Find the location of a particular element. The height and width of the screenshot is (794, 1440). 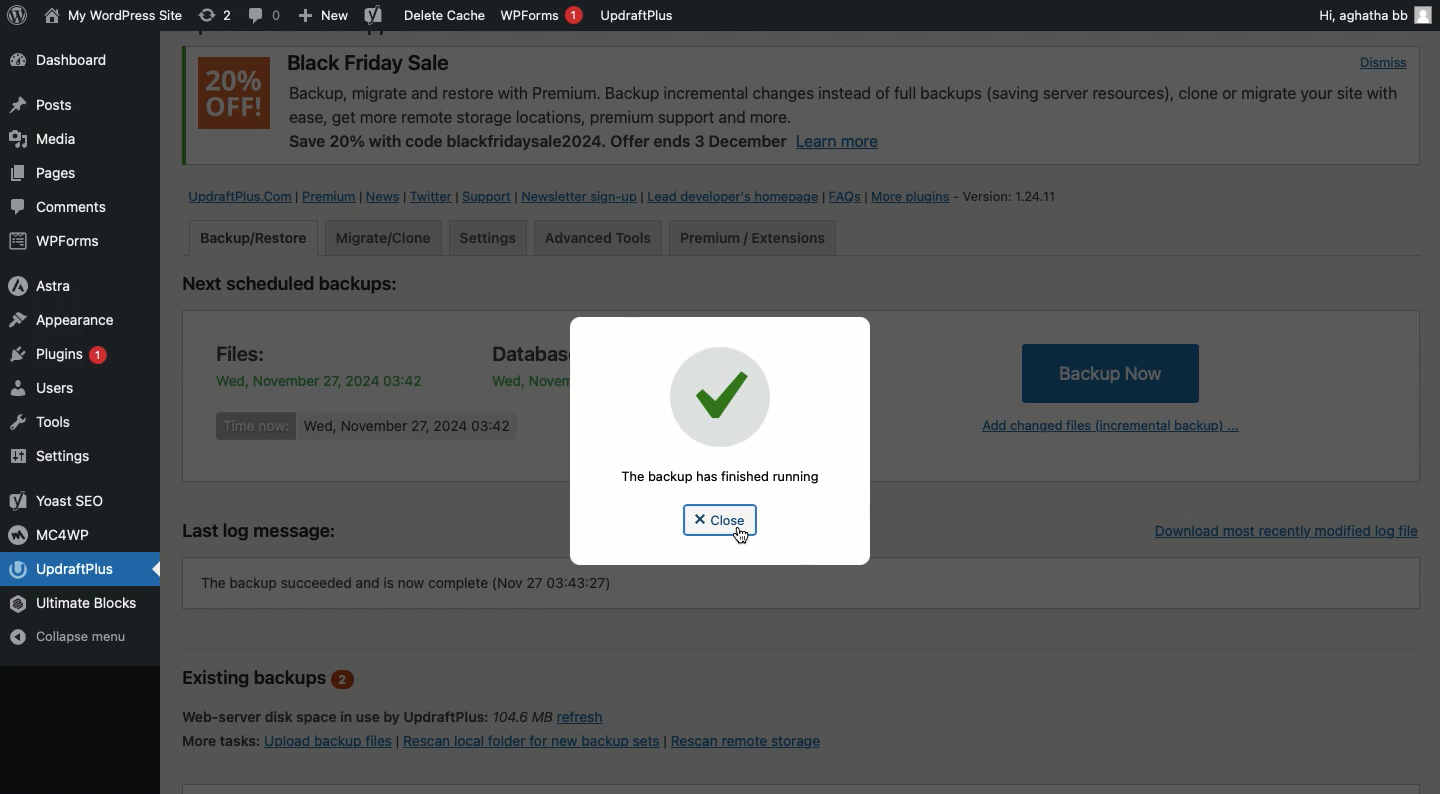

Yoast is located at coordinates (372, 17).